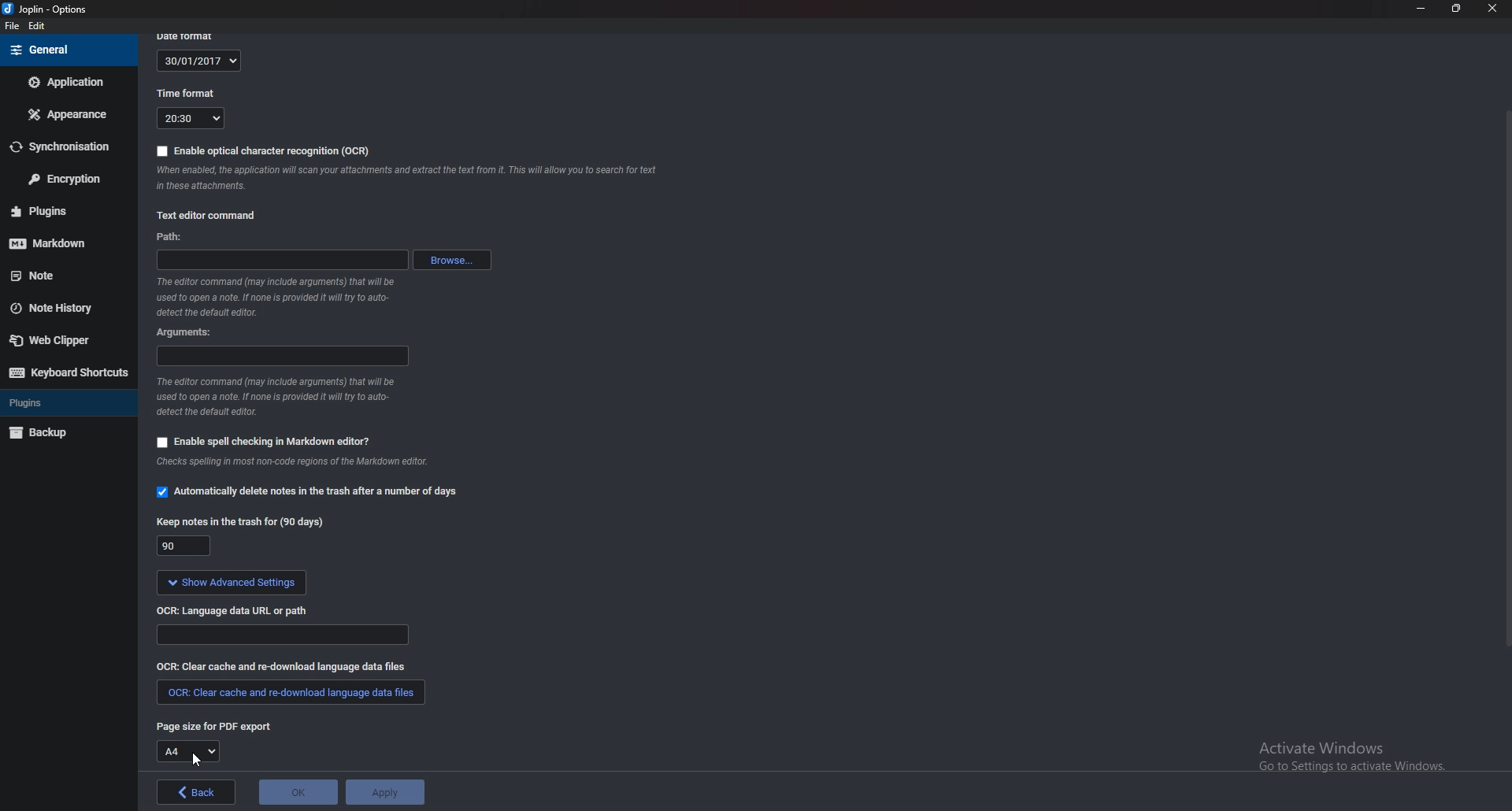  What do you see at coordinates (68, 82) in the screenshot?
I see `Application` at bounding box center [68, 82].